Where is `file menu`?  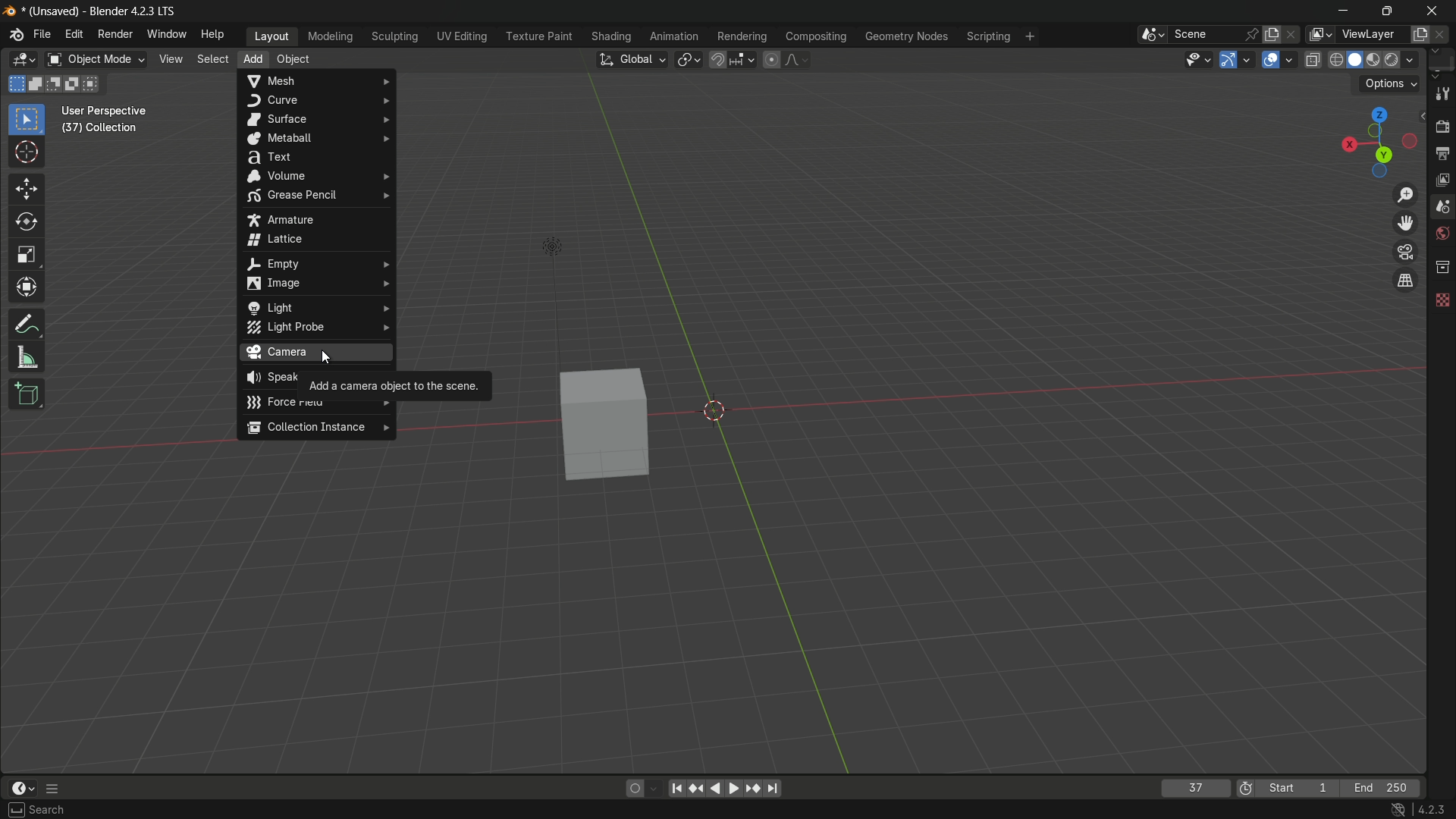
file menu is located at coordinates (40, 33).